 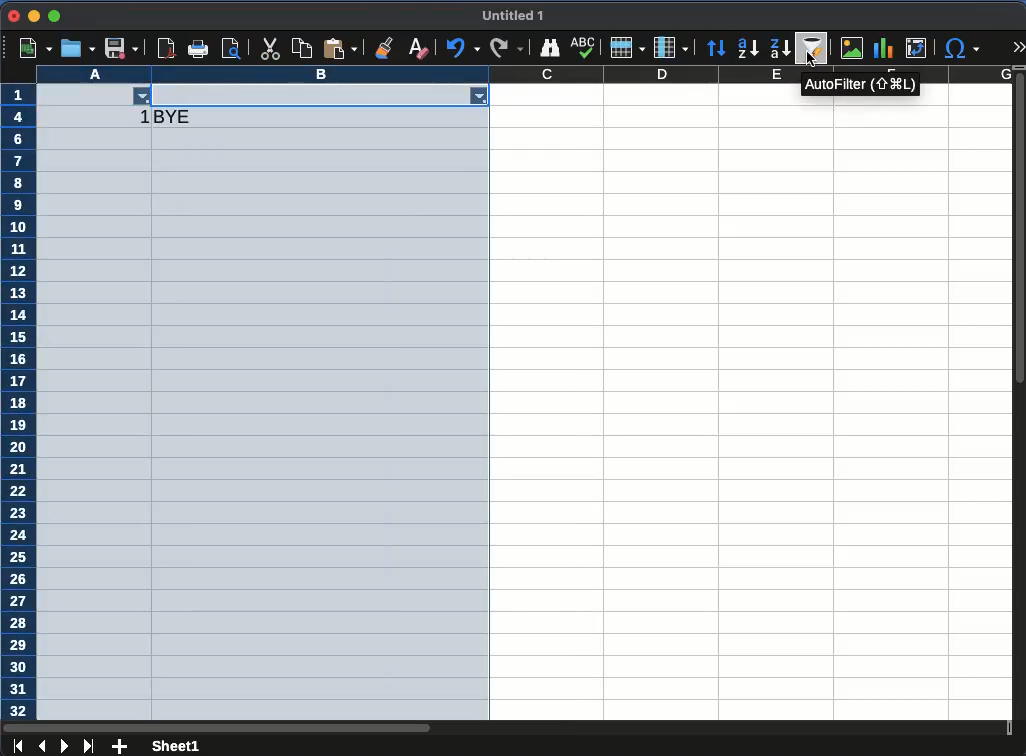 I want to click on filter, so click(x=144, y=98).